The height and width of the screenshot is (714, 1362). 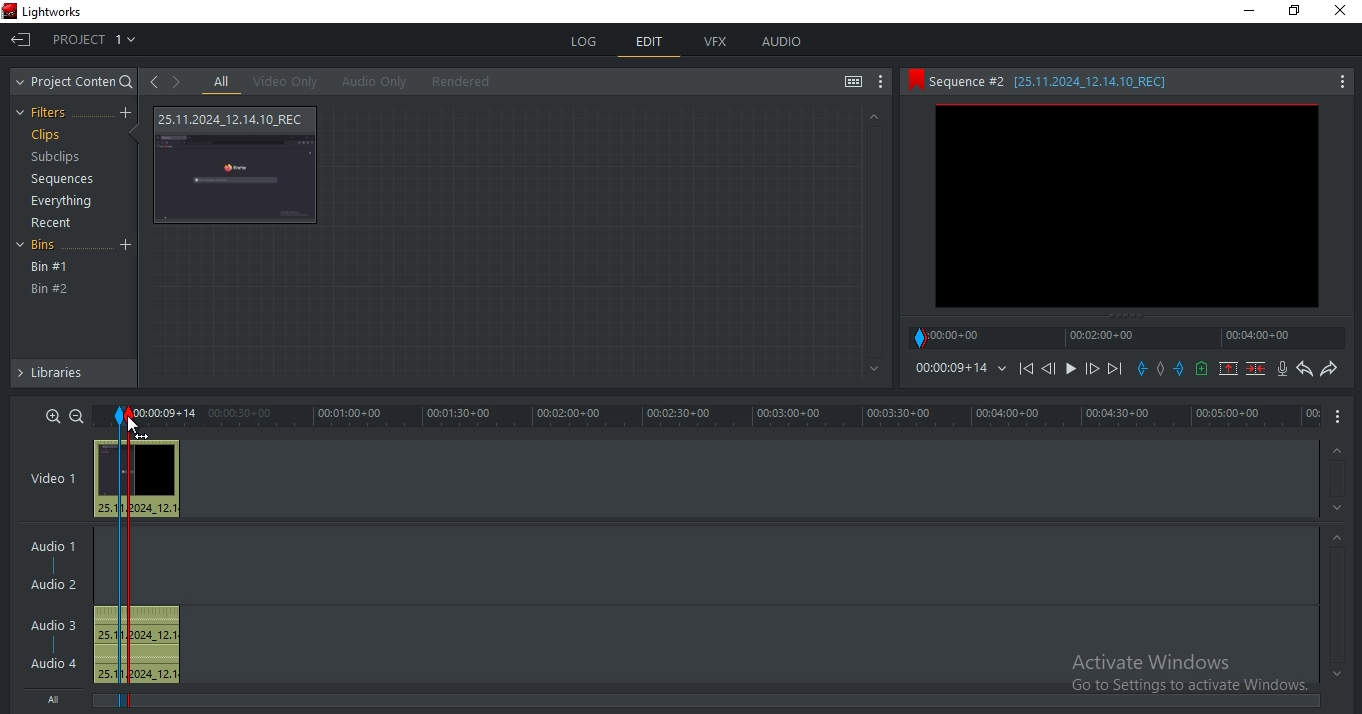 I want to click on audio, so click(x=782, y=43).